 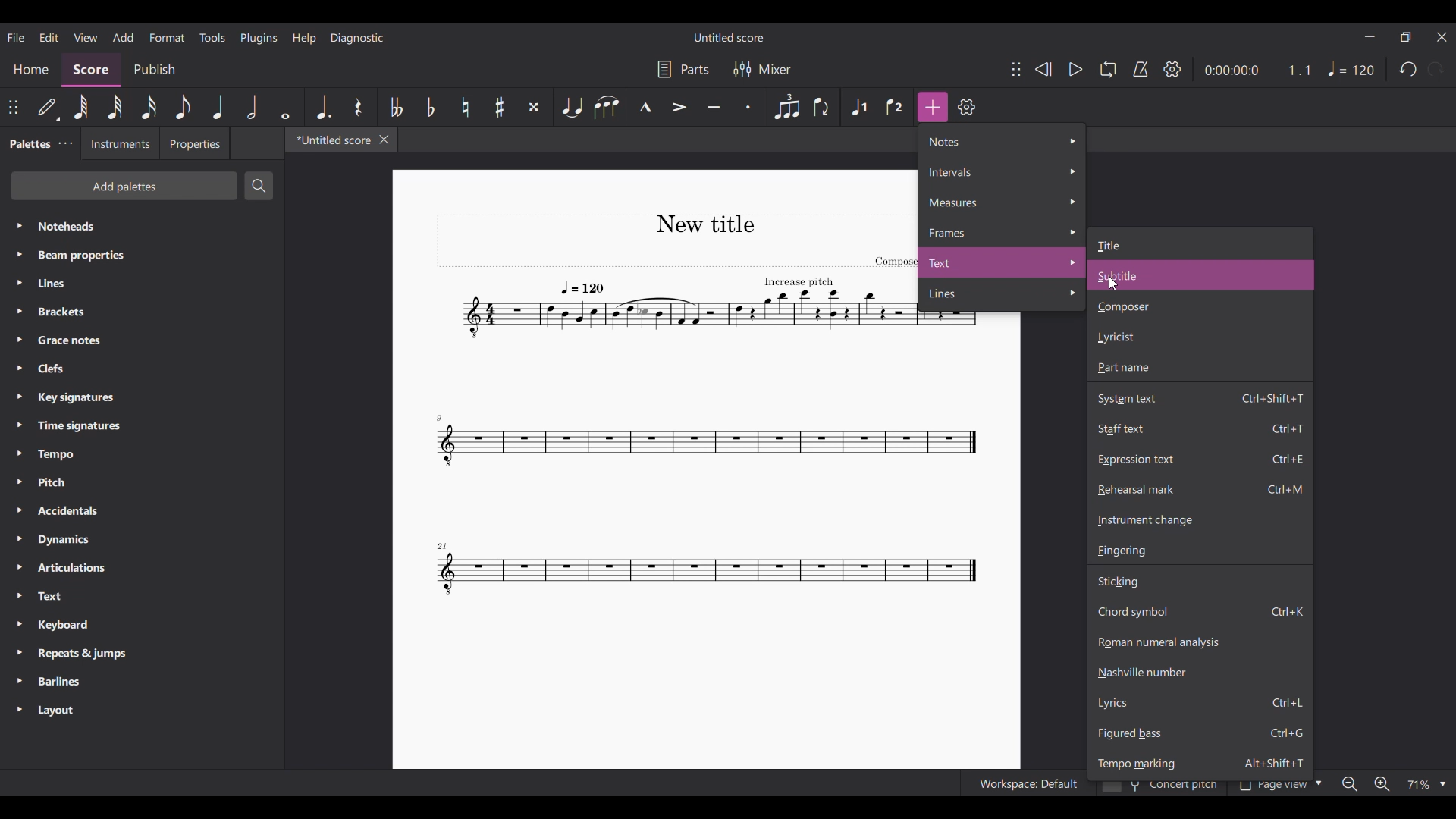 I want to click on Change position, so click(x=1016, y=69).